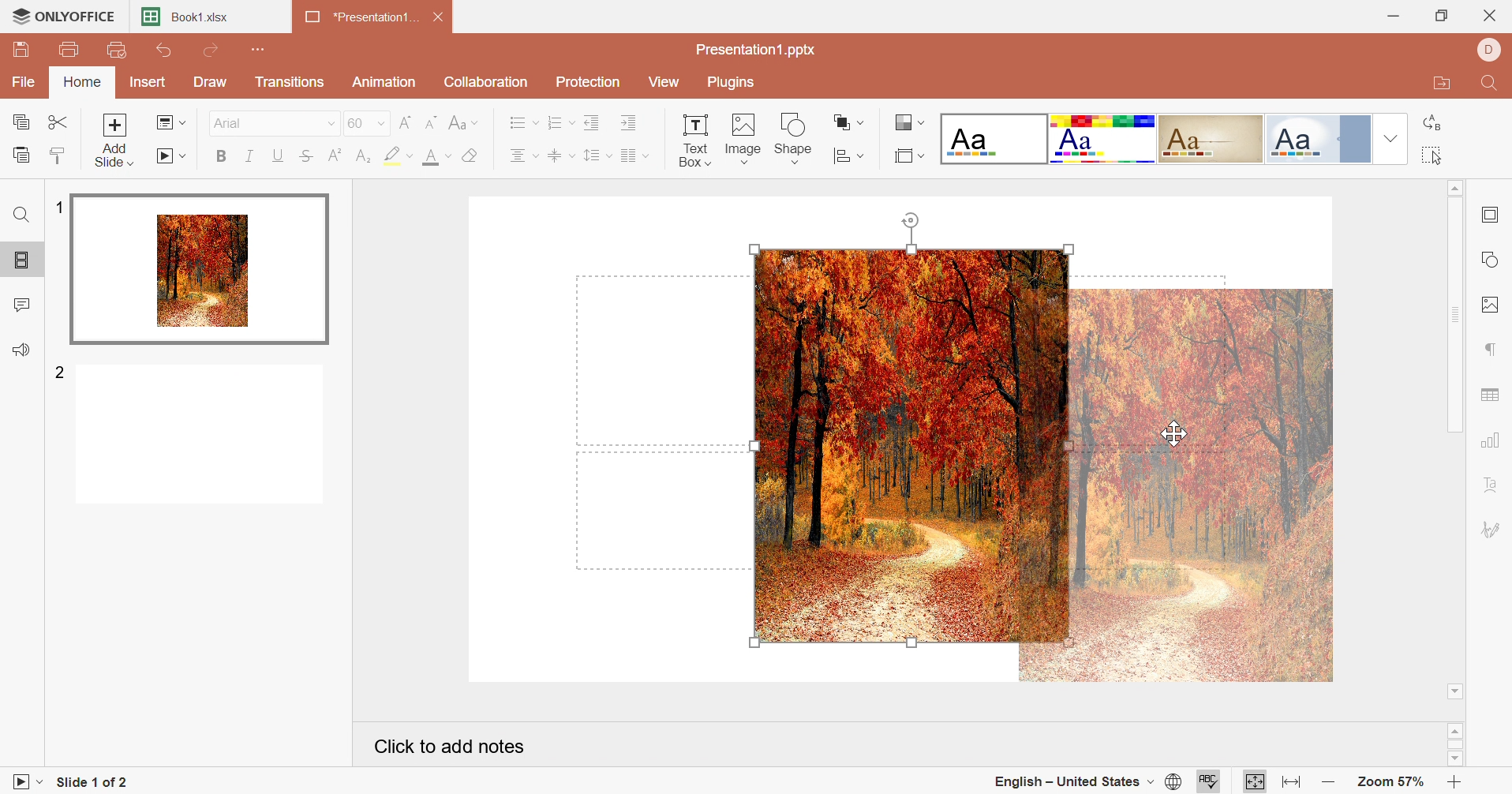 This screenshot has height=794, width=1512. I want to click on Print file, so click(70, 51).